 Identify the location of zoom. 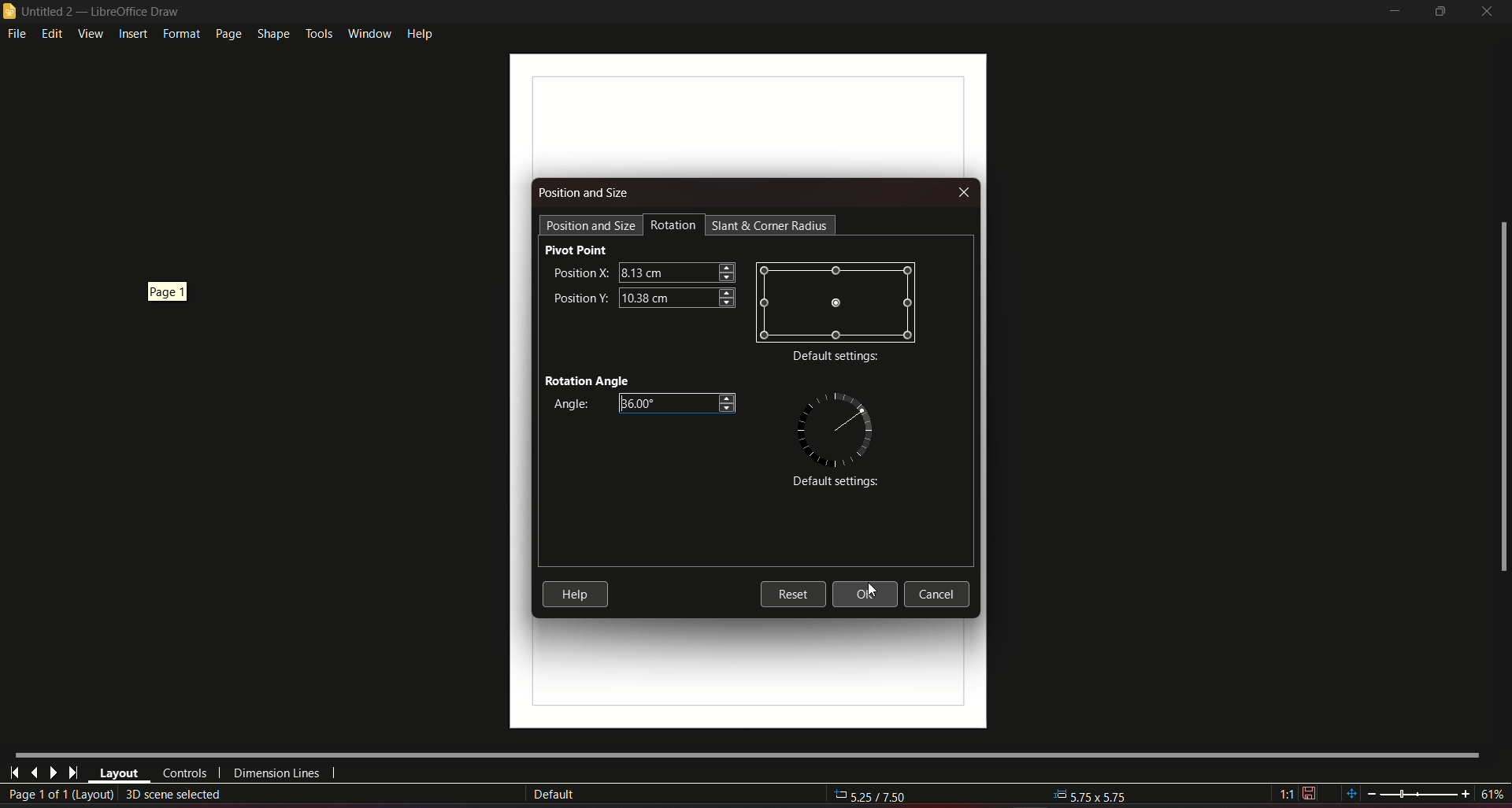
(1423, 791).